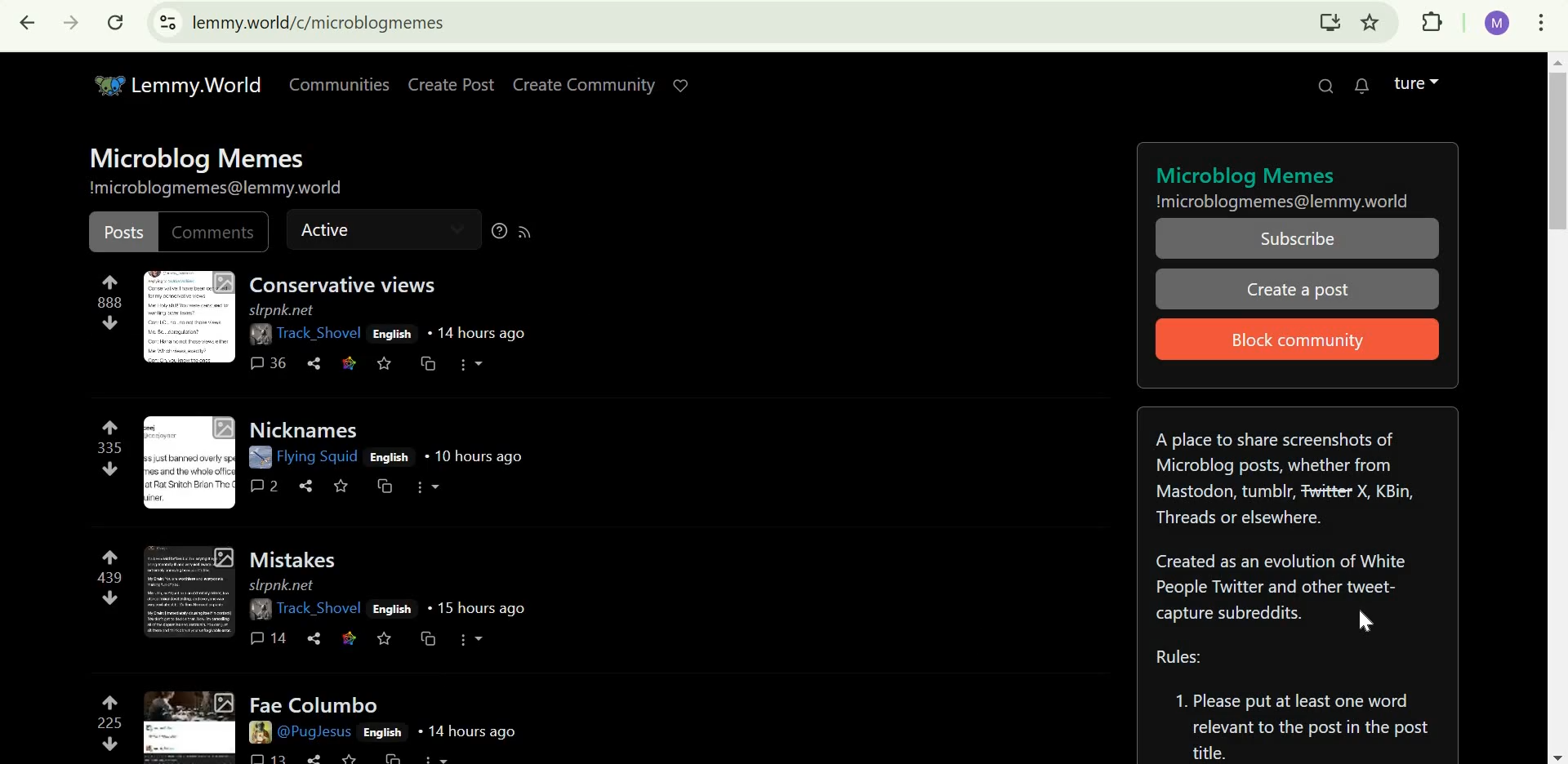 This screenshot has width=1568, height=764. I want to click on community guidelines, so click(1297, 705).